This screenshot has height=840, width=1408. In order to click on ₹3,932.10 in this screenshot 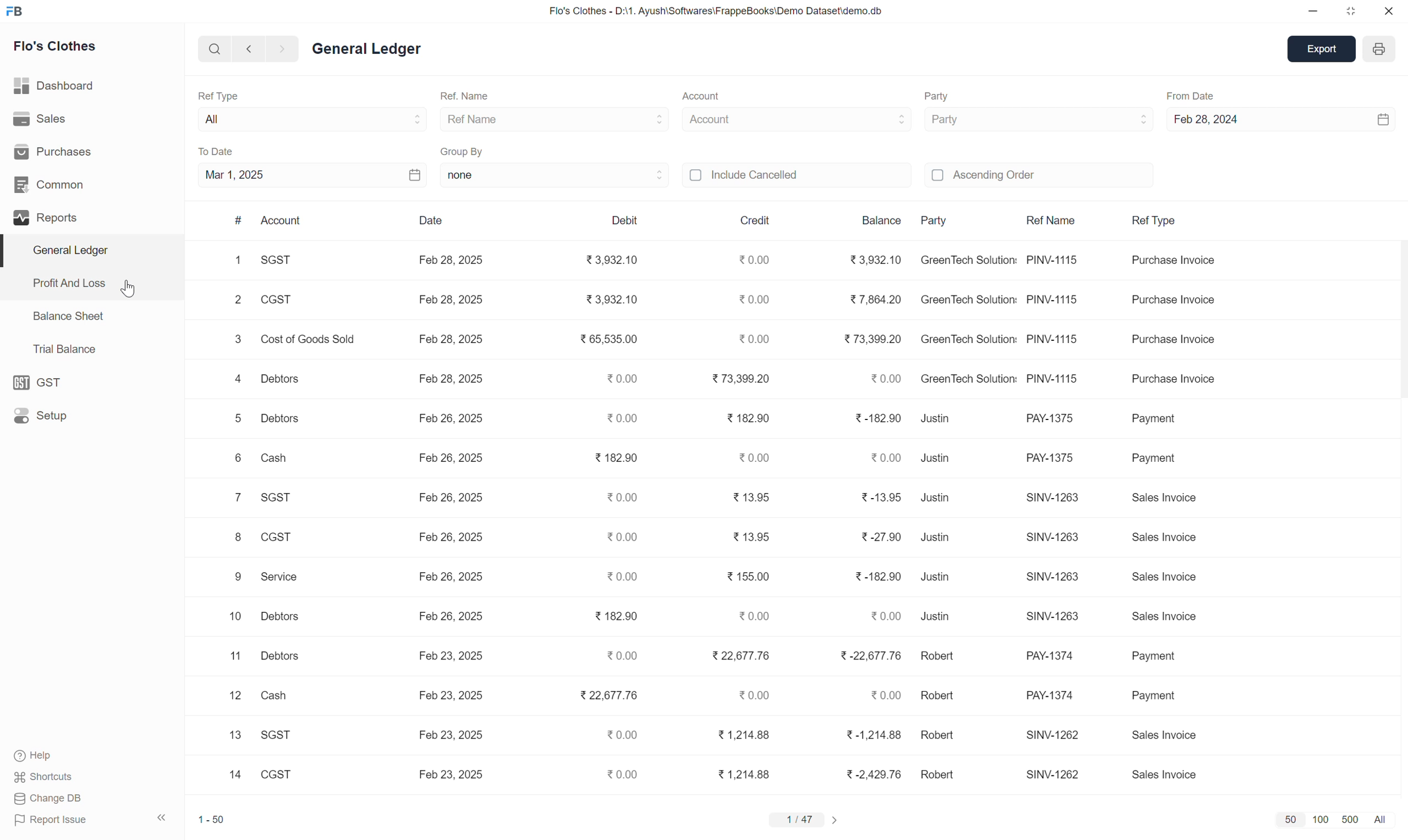, I will do `click(876, 258)`.